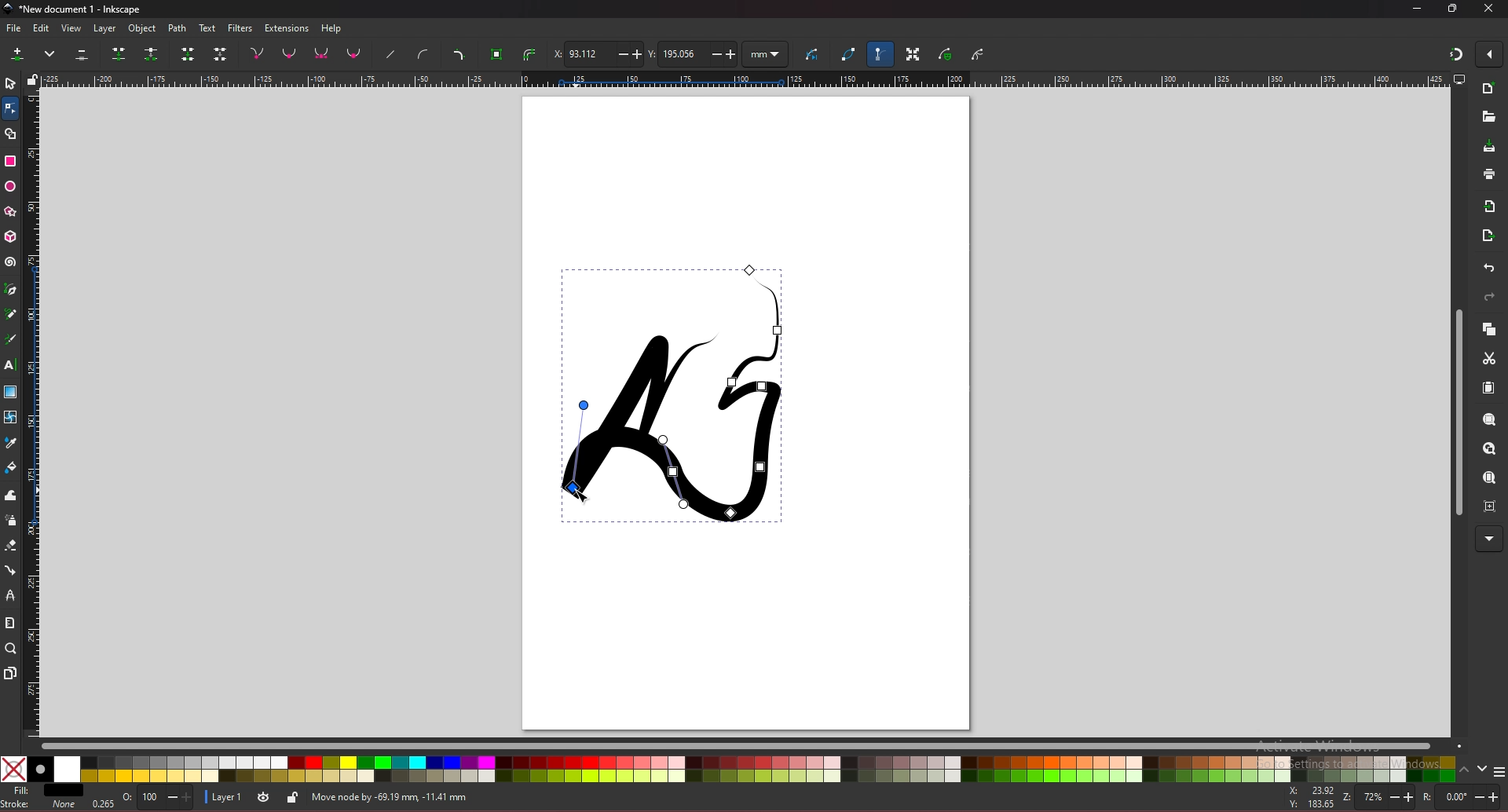  Describe the element at coordinates (580, 490) in the screenshot. I see `cursor` at that location.